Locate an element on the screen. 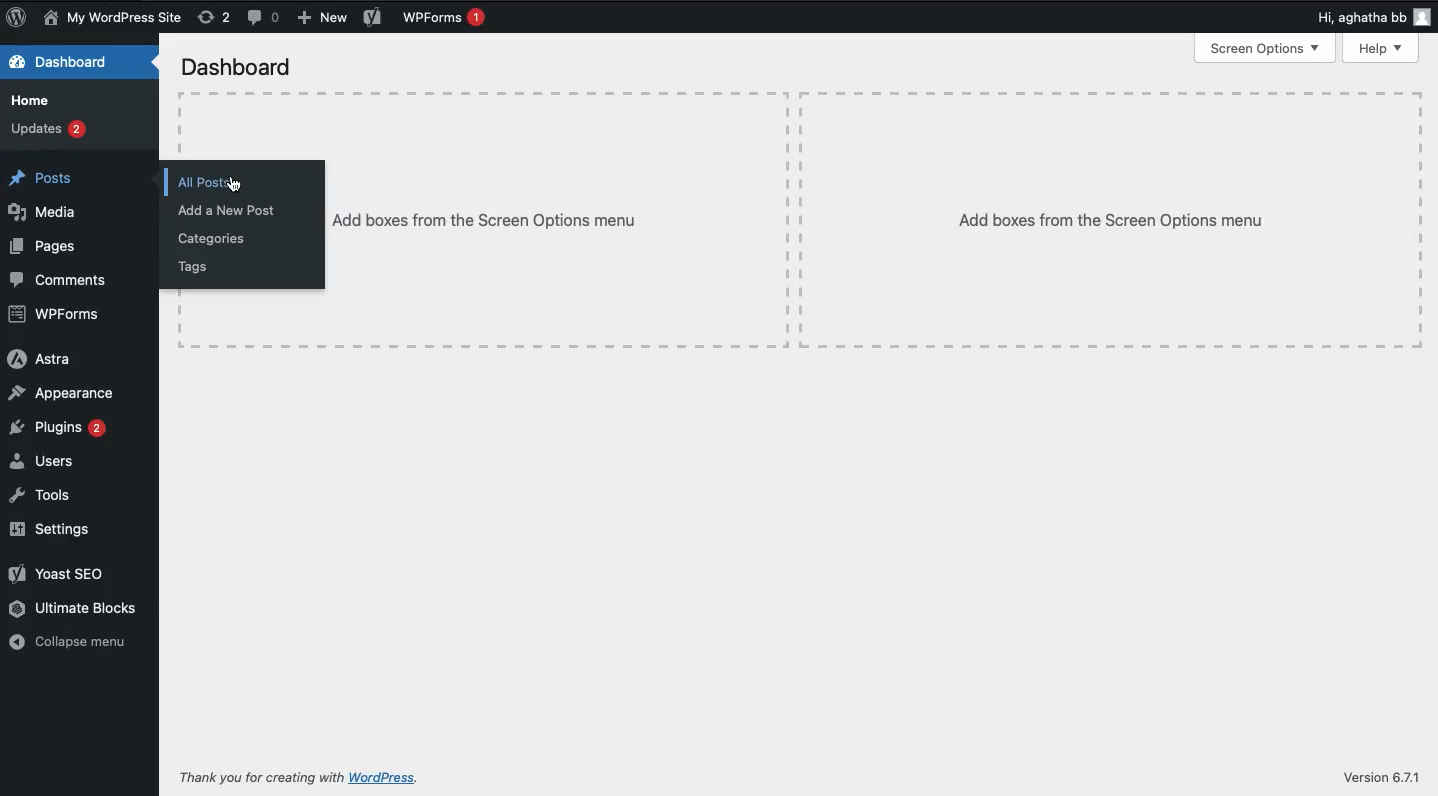 This screenshot has width=1438, height=796. Add is located at coordinates (320, 19).